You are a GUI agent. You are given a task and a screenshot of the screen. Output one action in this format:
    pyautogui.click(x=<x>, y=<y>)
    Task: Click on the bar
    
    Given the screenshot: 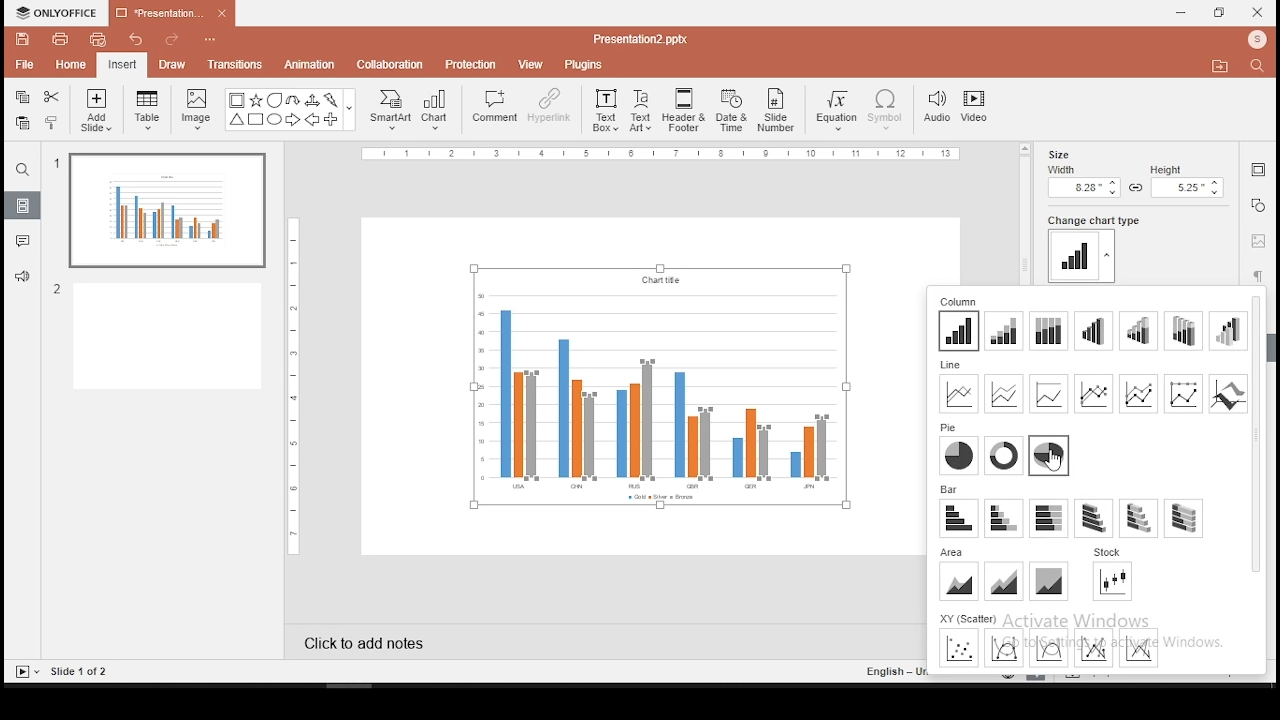 What is the action you would take?
    pyautogui.click(x=950, y=489)
    